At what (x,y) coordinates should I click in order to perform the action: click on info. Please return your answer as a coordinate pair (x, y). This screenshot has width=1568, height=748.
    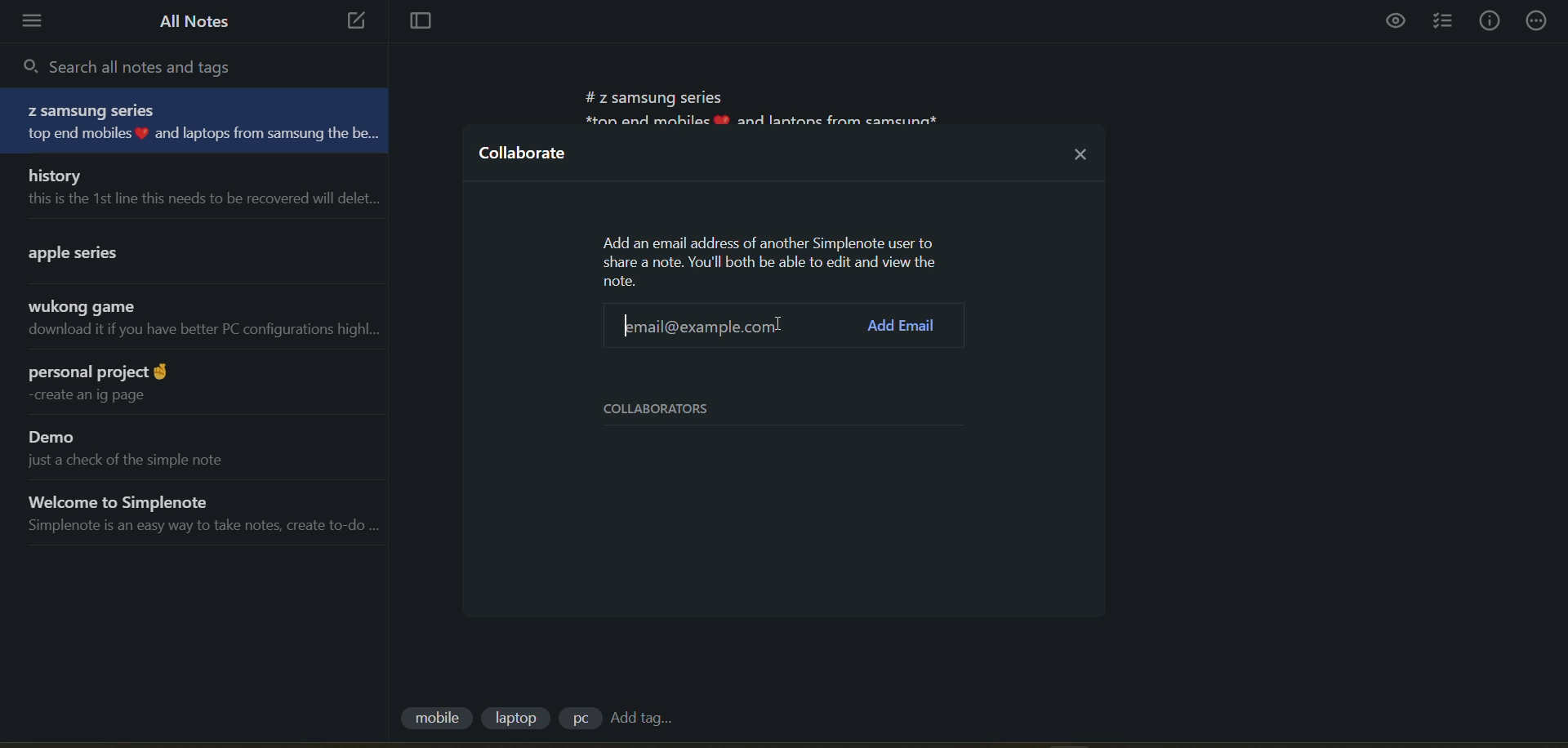
    Looking at the image, I should click on (1490, 21).